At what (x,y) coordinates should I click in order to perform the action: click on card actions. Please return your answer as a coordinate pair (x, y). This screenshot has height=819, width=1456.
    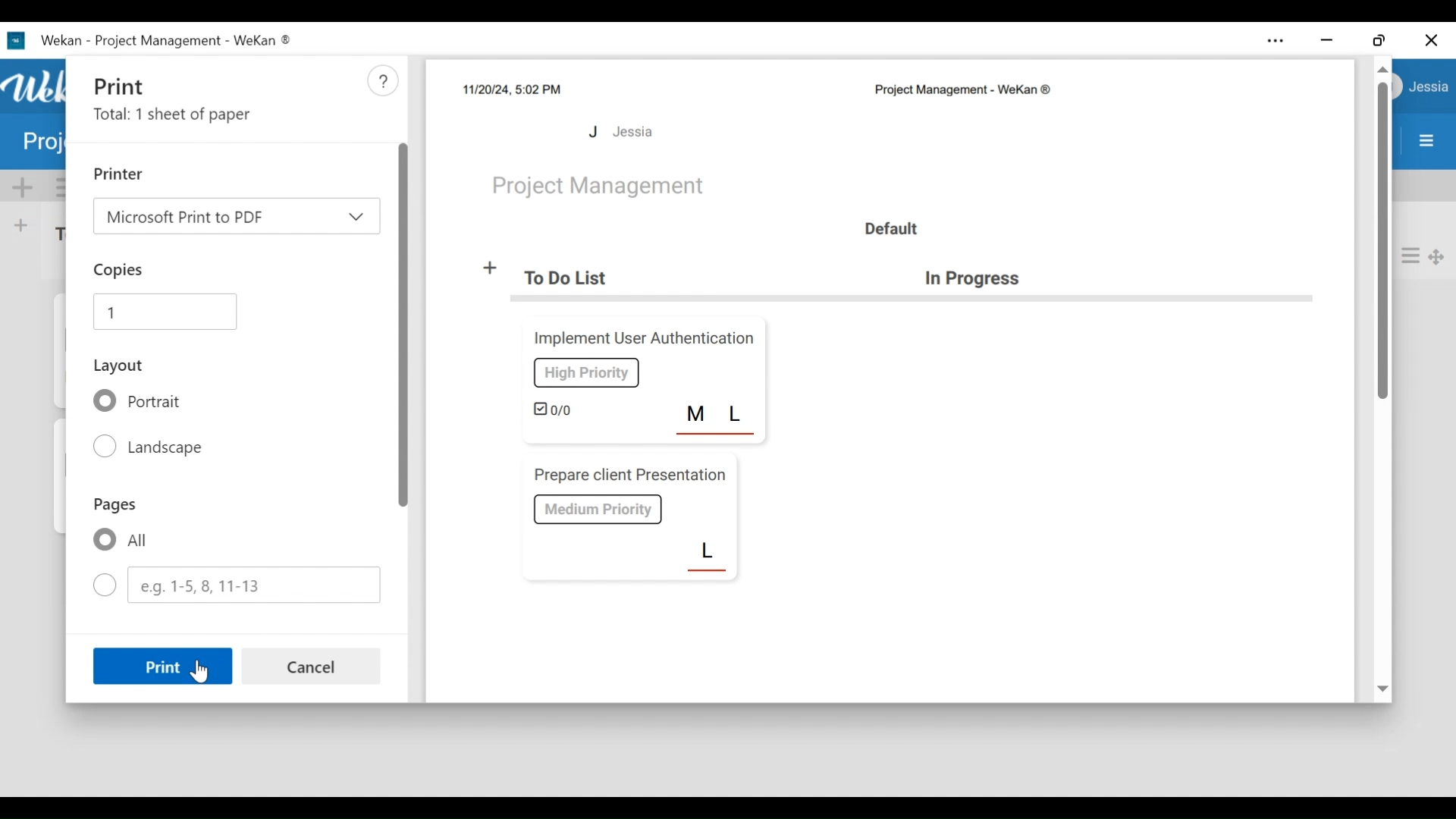
    Looking at the image, I should click on (1410, 256).